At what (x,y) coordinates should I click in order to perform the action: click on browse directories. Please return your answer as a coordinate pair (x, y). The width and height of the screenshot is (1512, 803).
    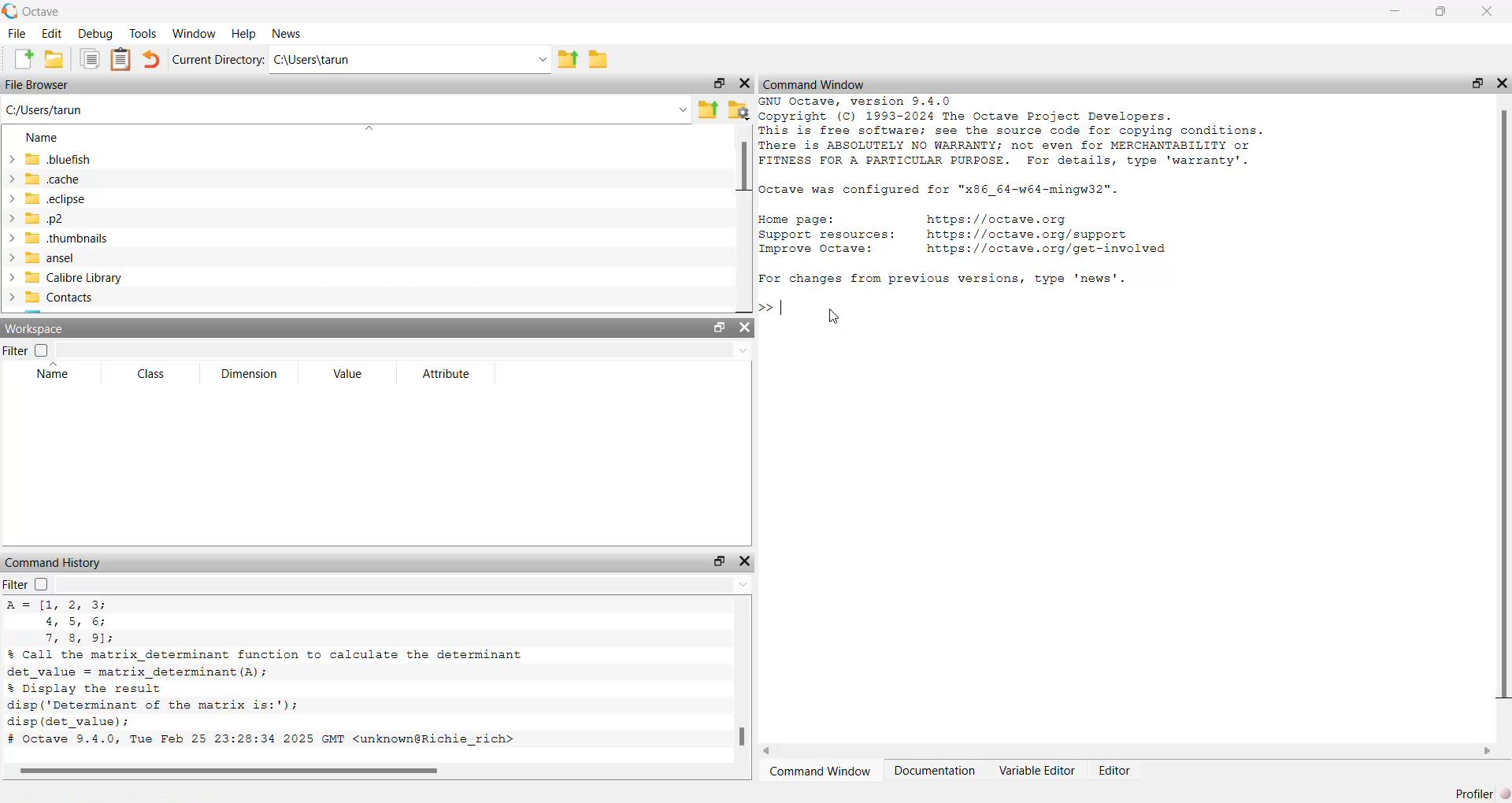
    Looking at the image, I should click on (601, 60).